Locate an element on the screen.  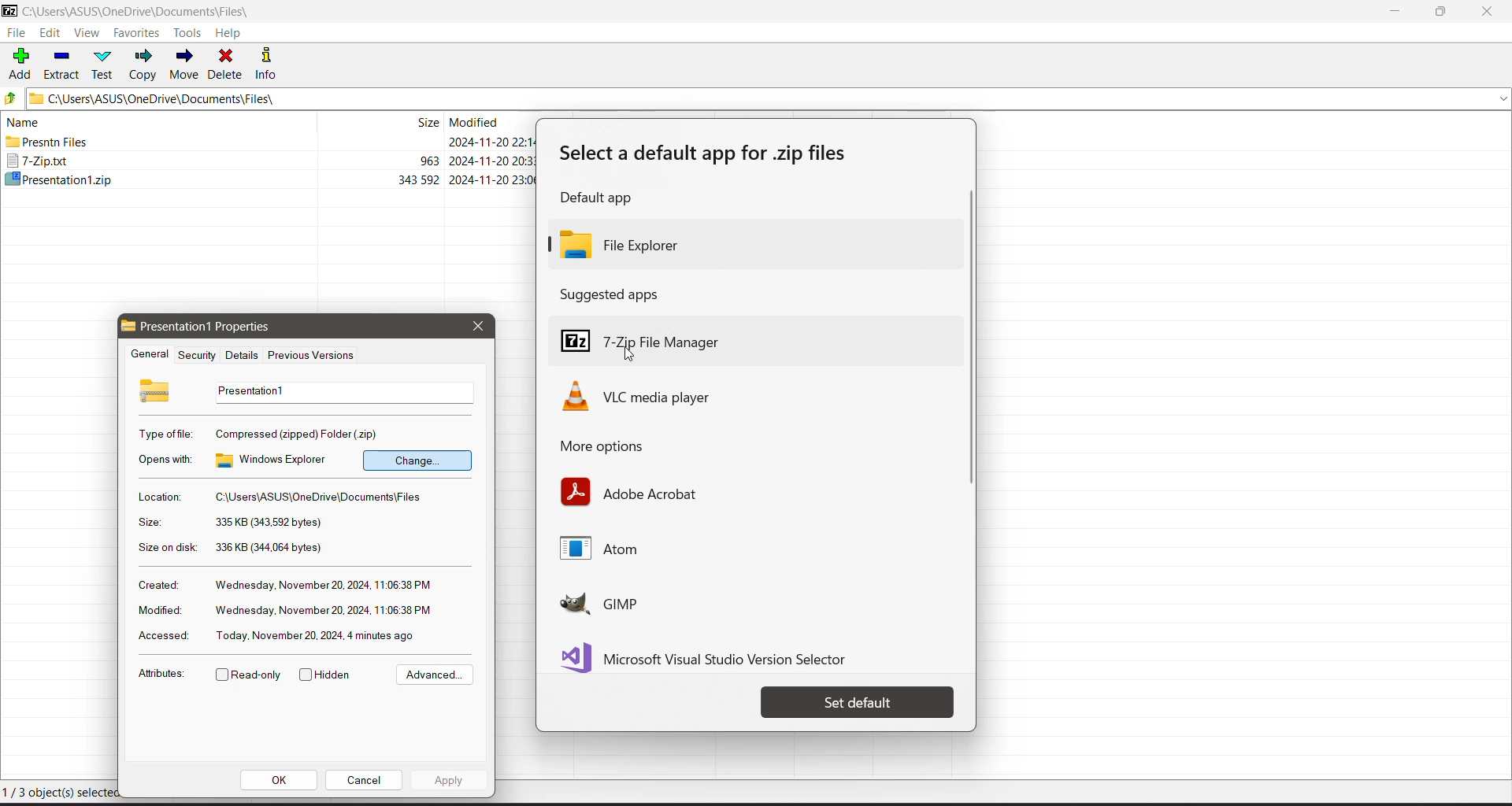
7-Zip is located at coordinates (272, 160).